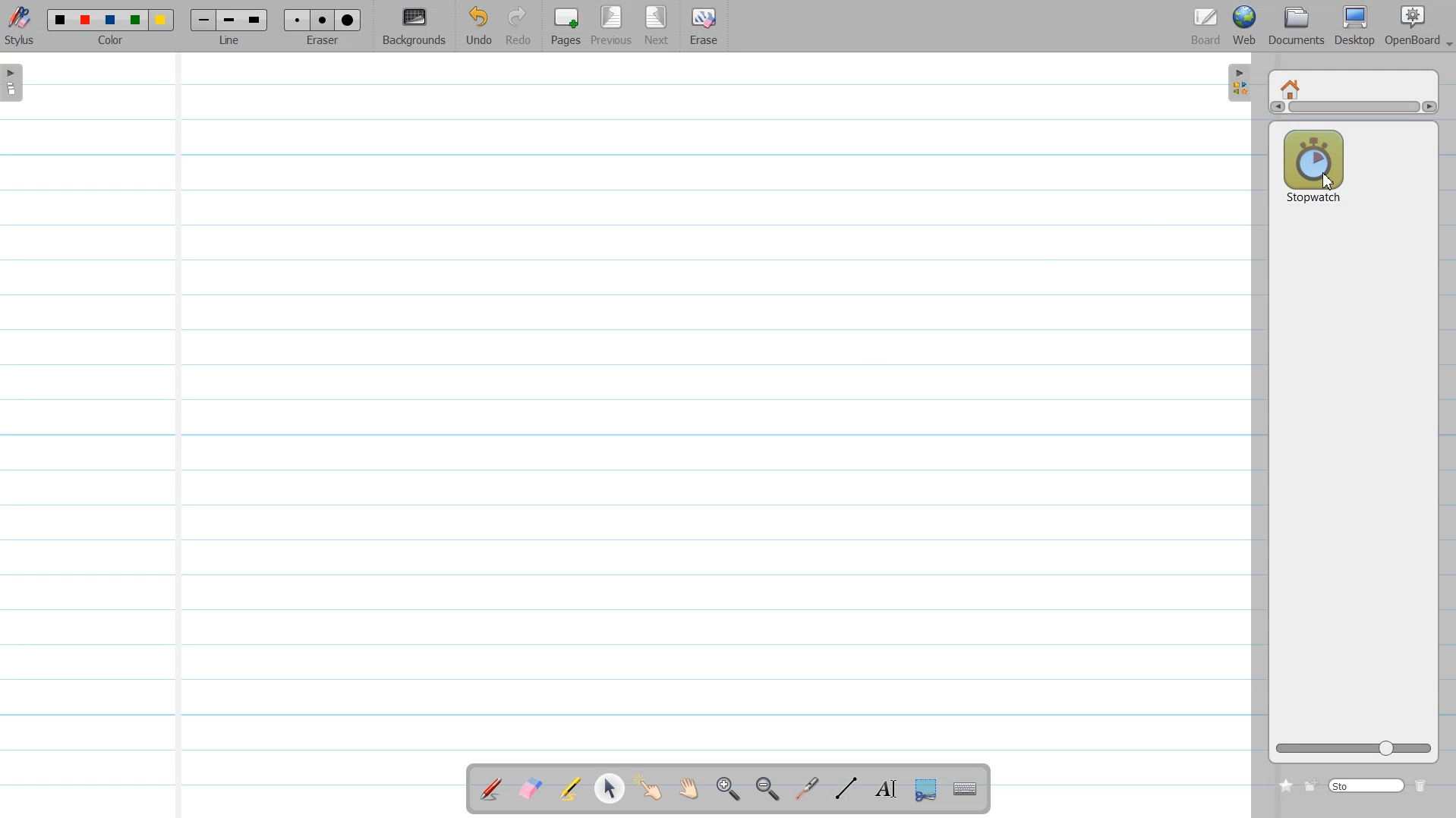 This screenshot has width=1456, height=818. What do you see at coordinates (1313, 165) in the screenshot?
I see `Stop watch` at bounding box center [1313, 165].